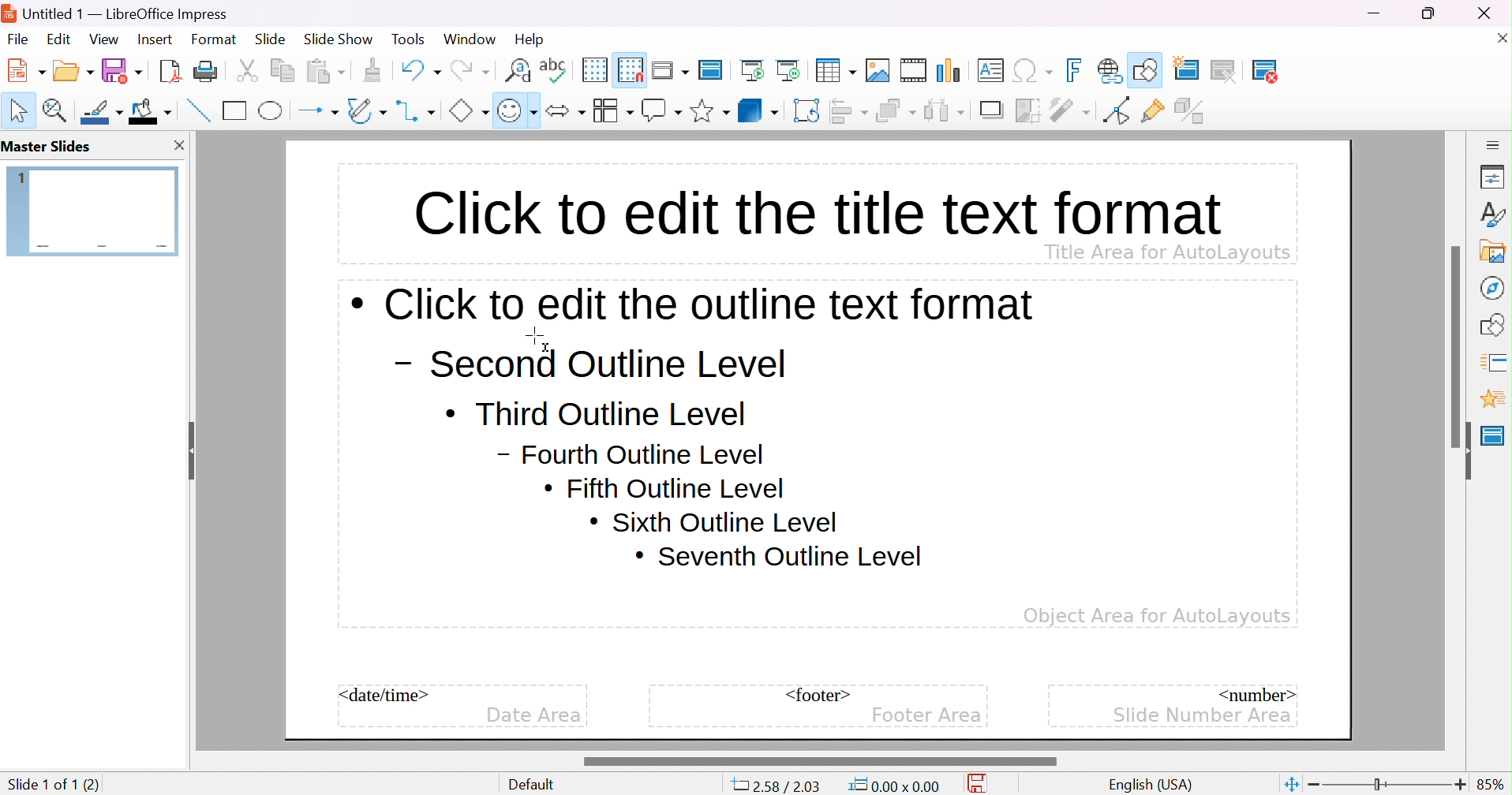 The image size is (1512, 795). Describe the element at coordinates (272, 110) in the screenshot. I see `ellipse` at that location.